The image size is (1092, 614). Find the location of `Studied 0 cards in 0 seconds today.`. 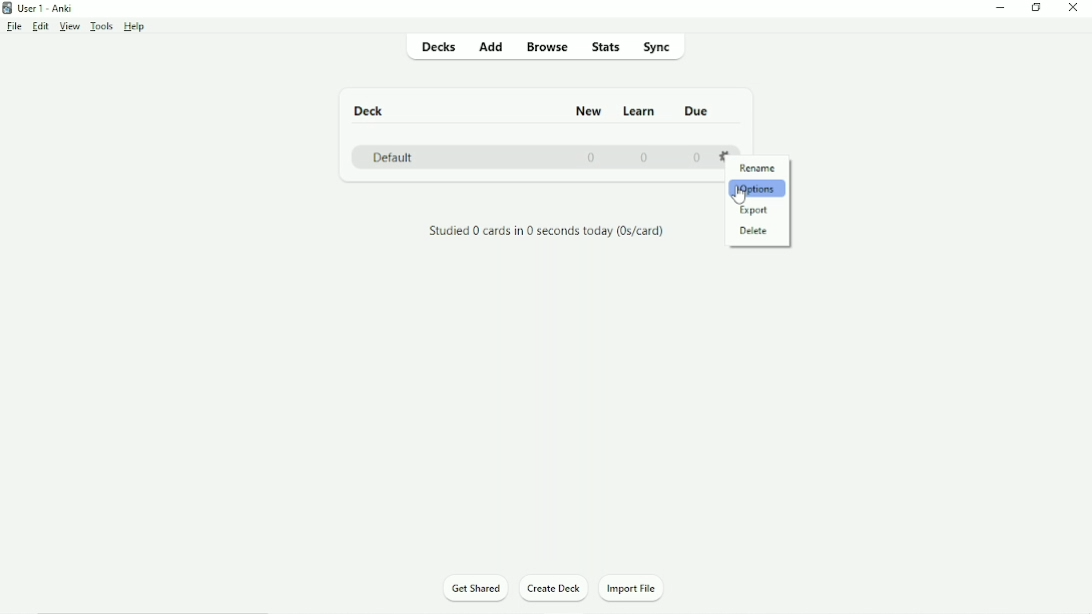

Studied 0 cards in 0 seconds today. is located at coordinates (547, 232).